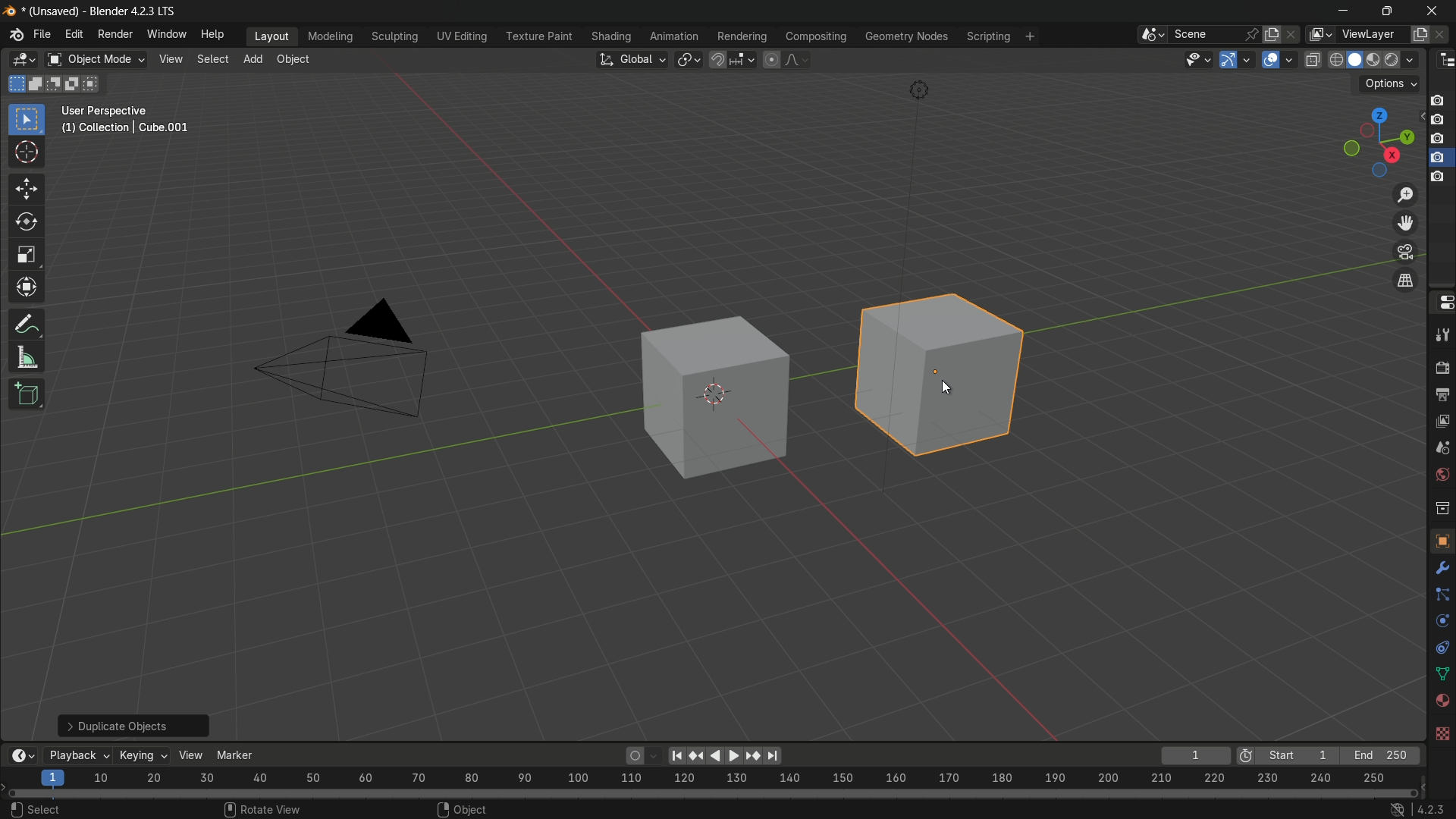  I want to click on toggle x-ray, so click(1313, 59).